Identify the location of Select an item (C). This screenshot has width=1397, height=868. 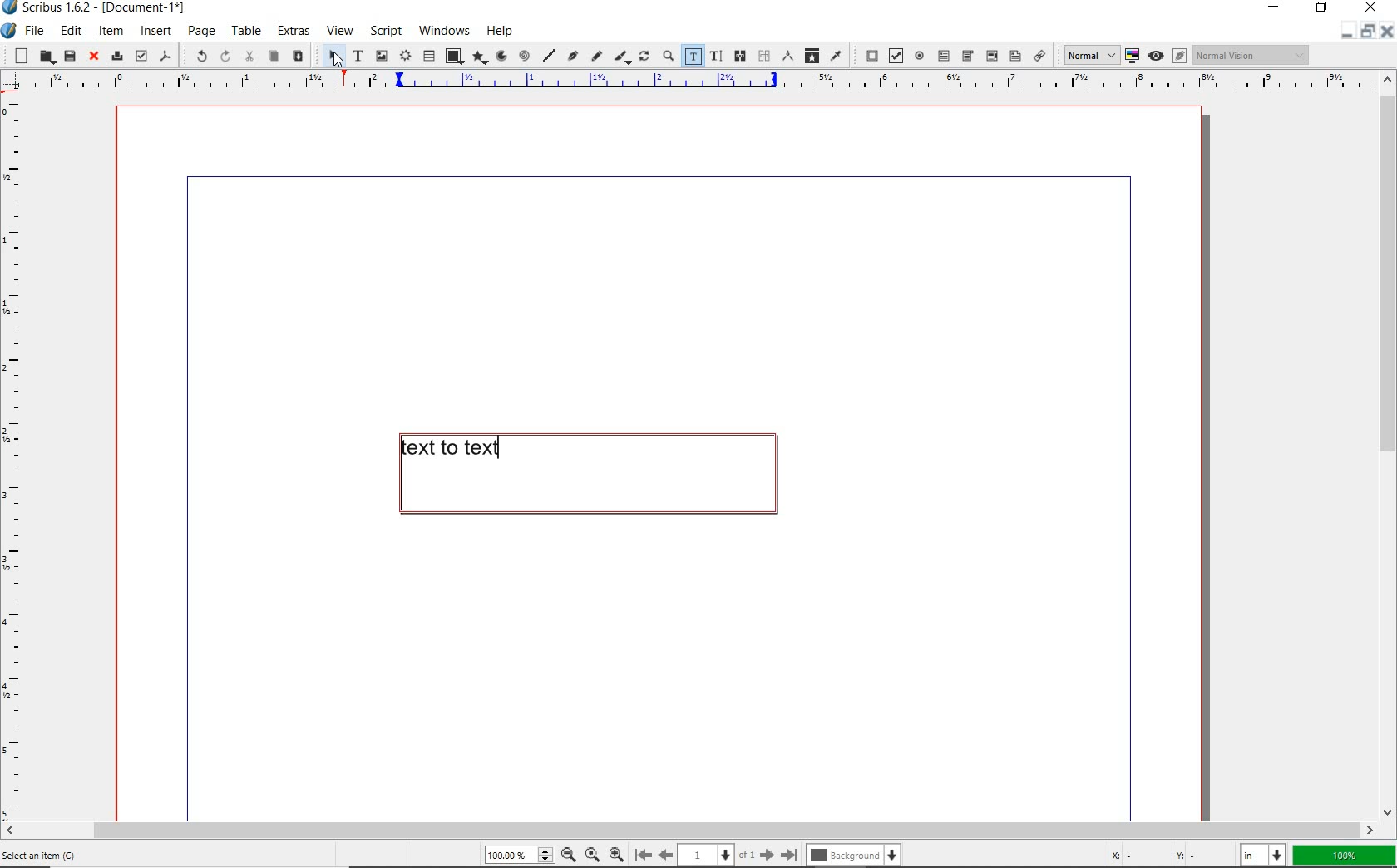
(43, 855).